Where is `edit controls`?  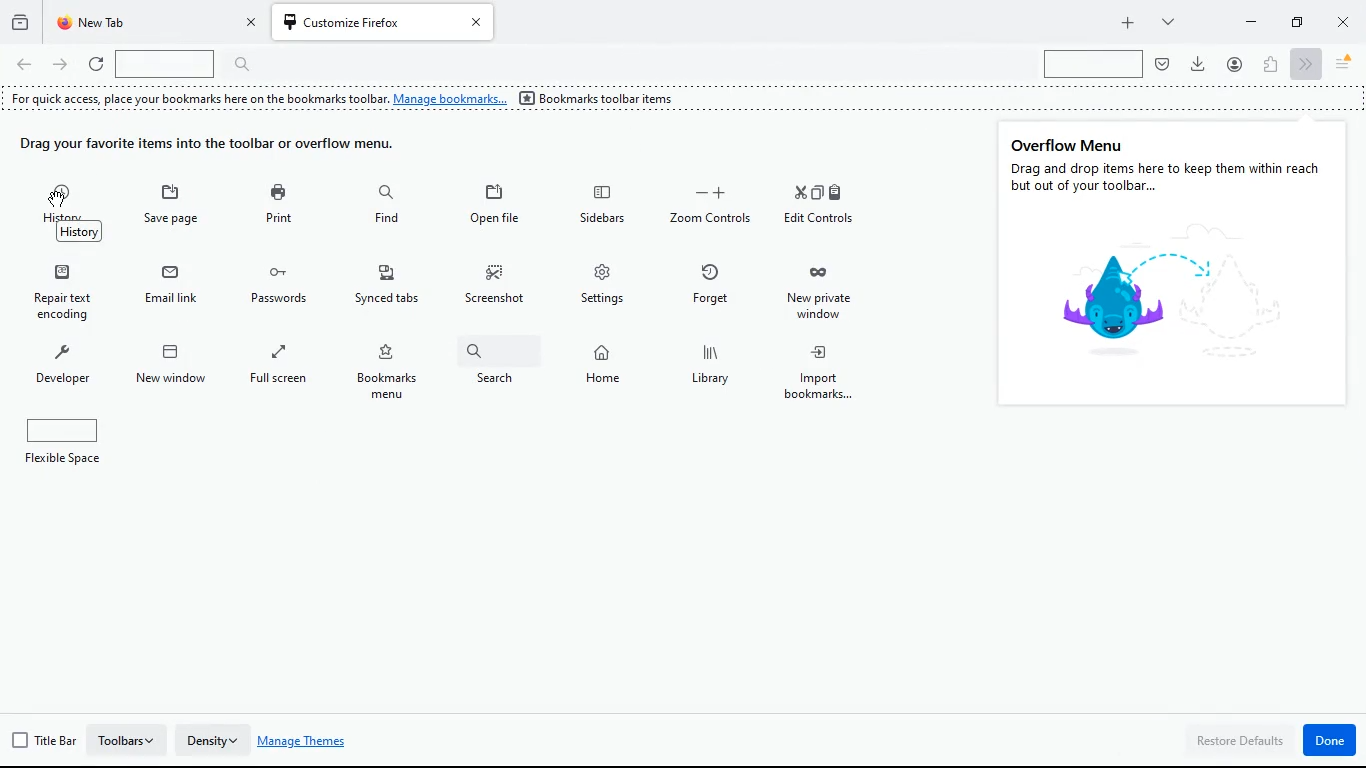
edit controls is located at coordinates (822, 210).